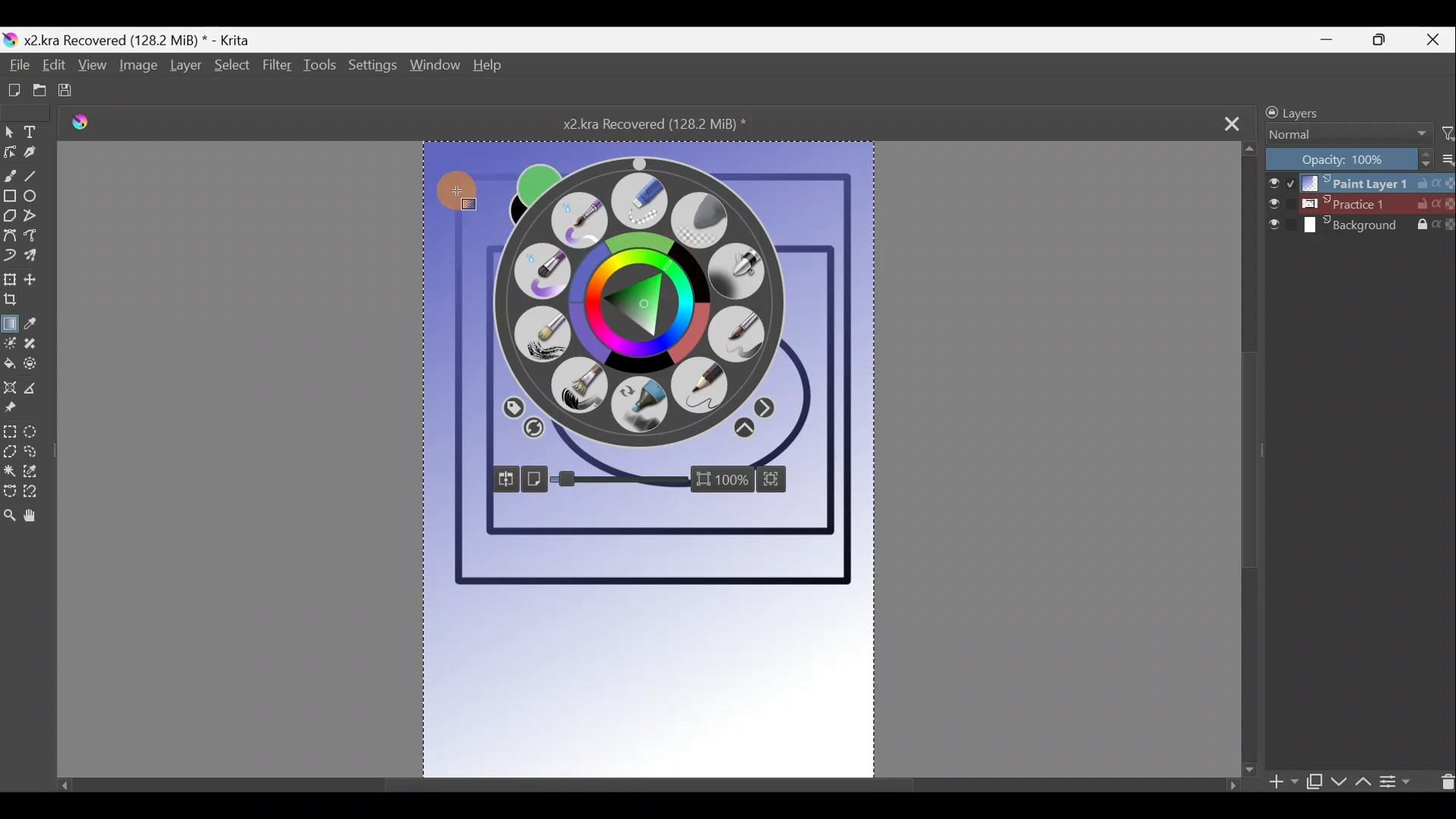 This screenshot has width=1456, height=819. Describe the element at coordinates (185, 68) in the screenshot. I see `Layer` at that location.